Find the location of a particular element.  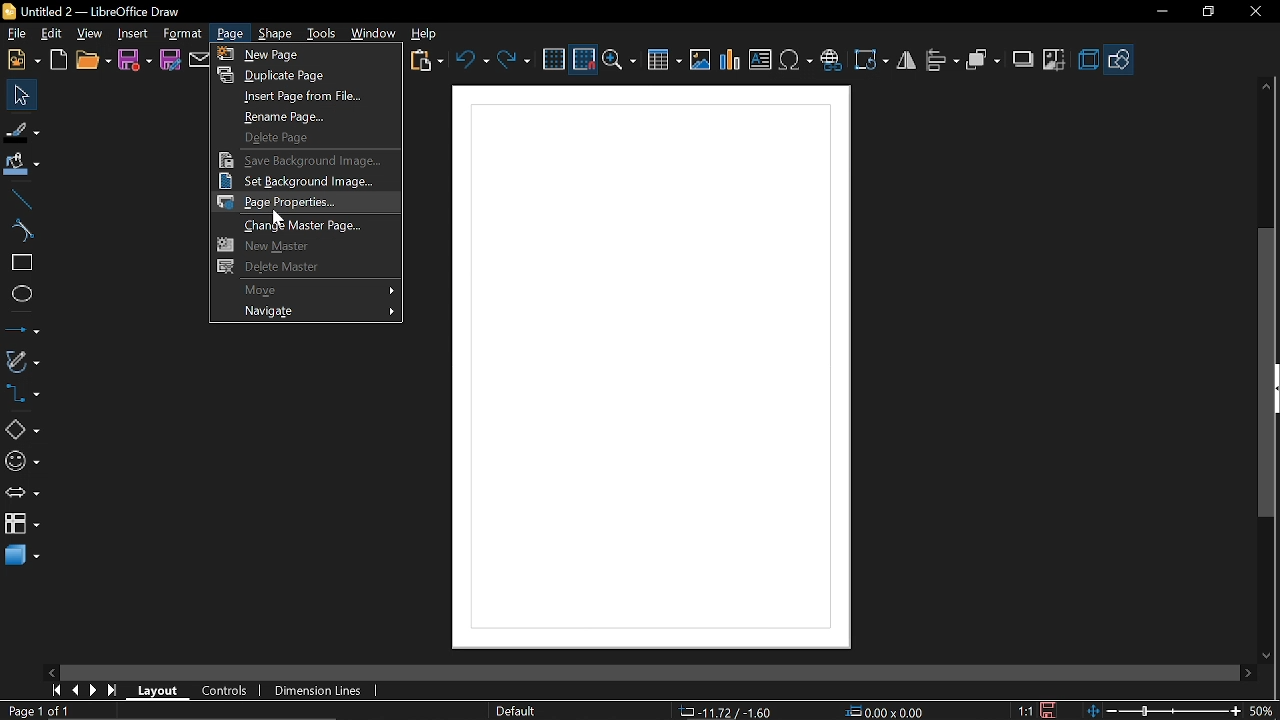

Ellipse is located at coordinates (20, 297).